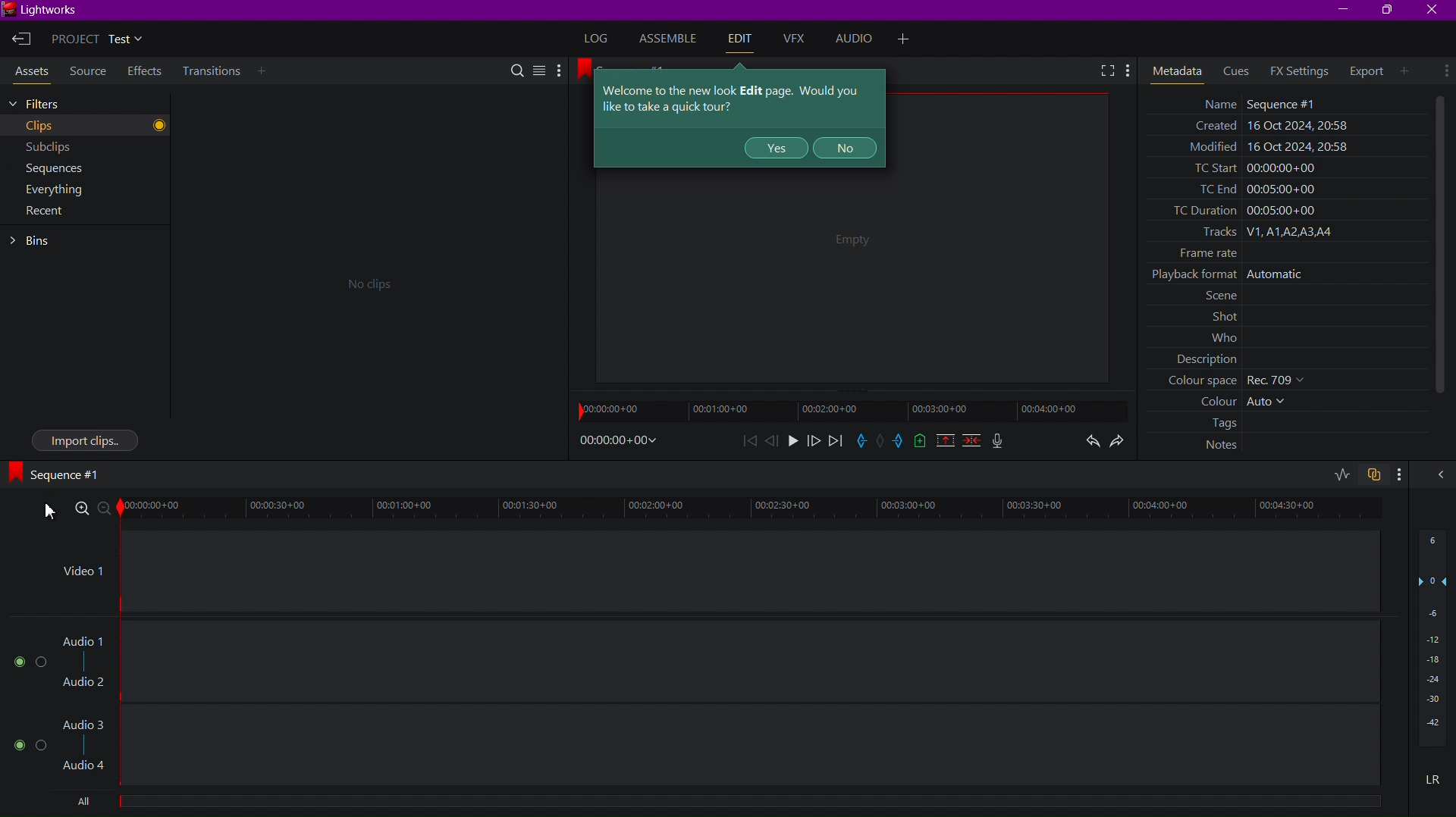 The image size is (1456, 817). Describe the element at coordinates (1432, 645) in the screenshot. I see `Sound Level` at that location.